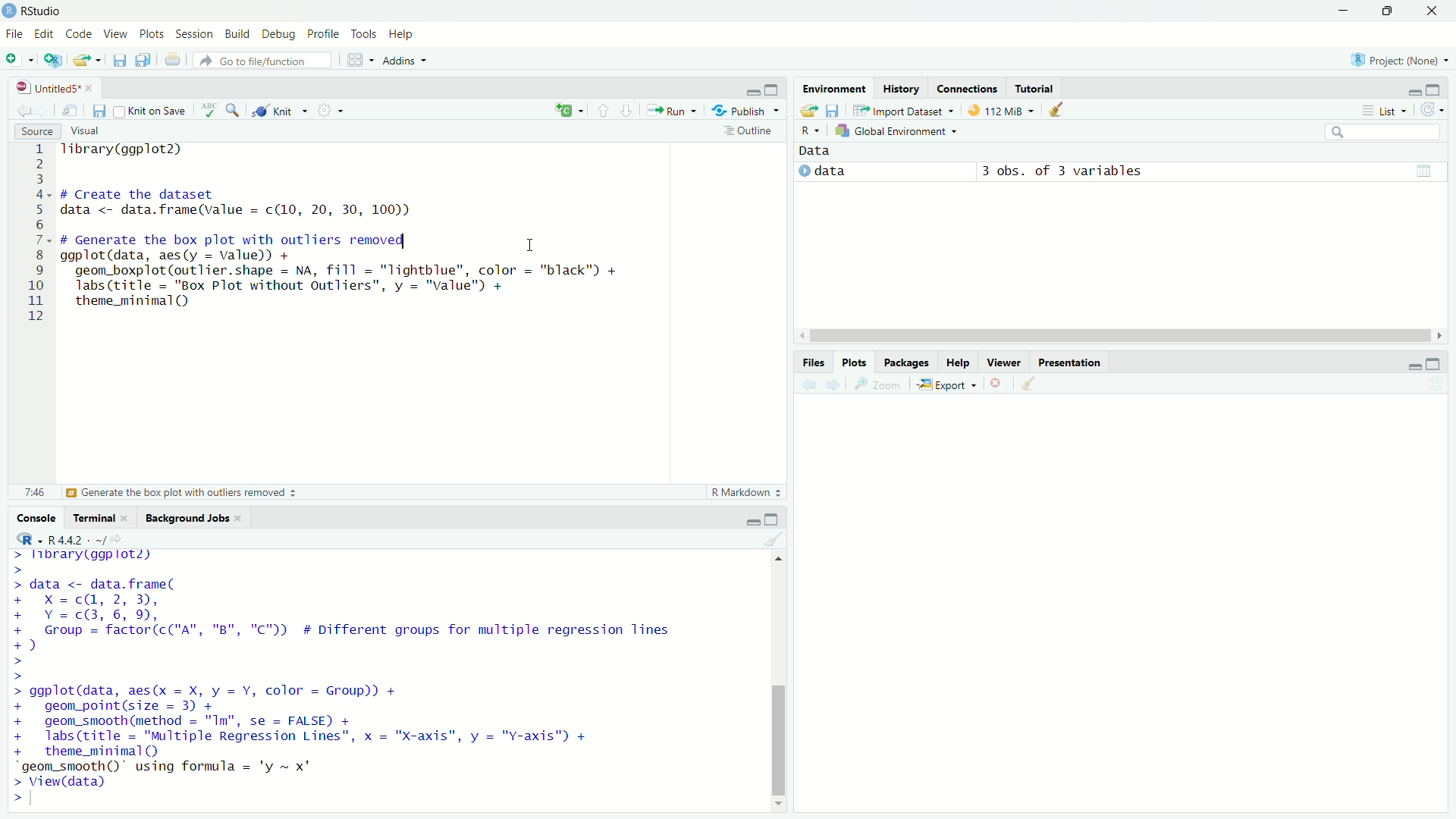  What do you see at coordinates (86, 64) in the screenshot?
I see `export` at bounding box center [86, 64].